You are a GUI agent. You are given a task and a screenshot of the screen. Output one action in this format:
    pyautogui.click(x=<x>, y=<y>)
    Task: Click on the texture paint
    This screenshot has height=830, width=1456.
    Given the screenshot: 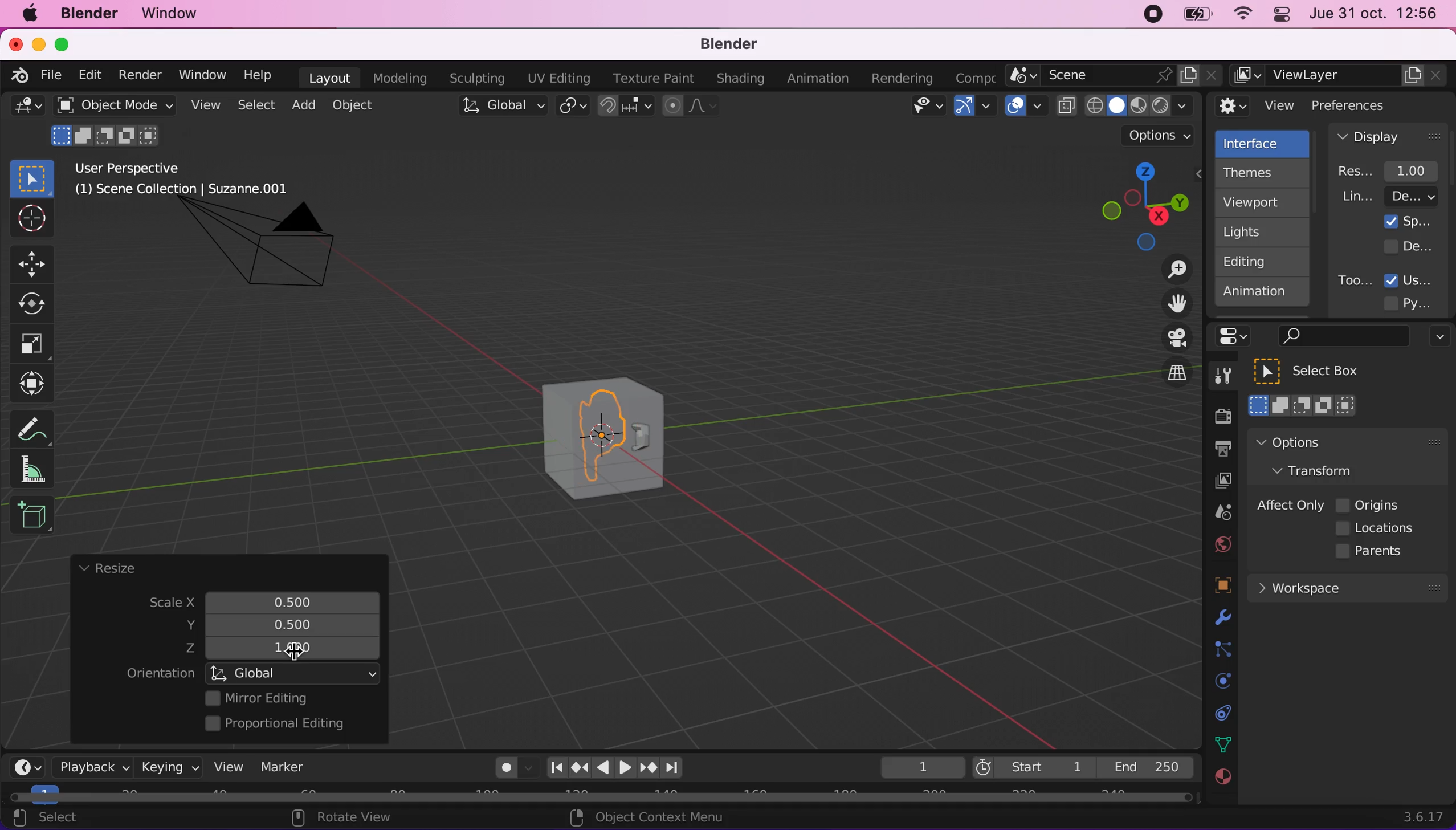 What is the action you would take?
    pyautogui.click(x=651, y=78)
    